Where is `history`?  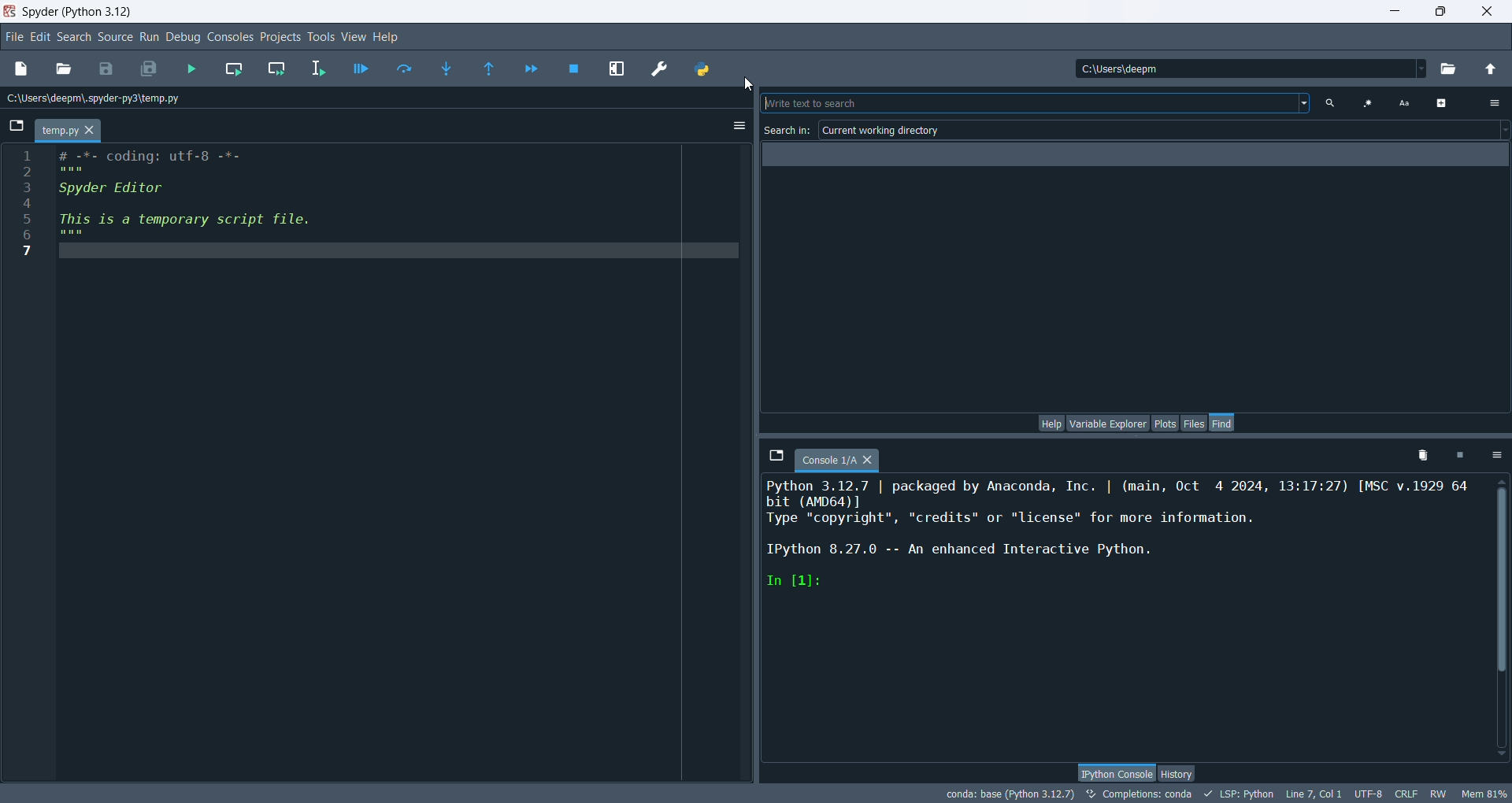
history is located at coordinates (1176, 772).